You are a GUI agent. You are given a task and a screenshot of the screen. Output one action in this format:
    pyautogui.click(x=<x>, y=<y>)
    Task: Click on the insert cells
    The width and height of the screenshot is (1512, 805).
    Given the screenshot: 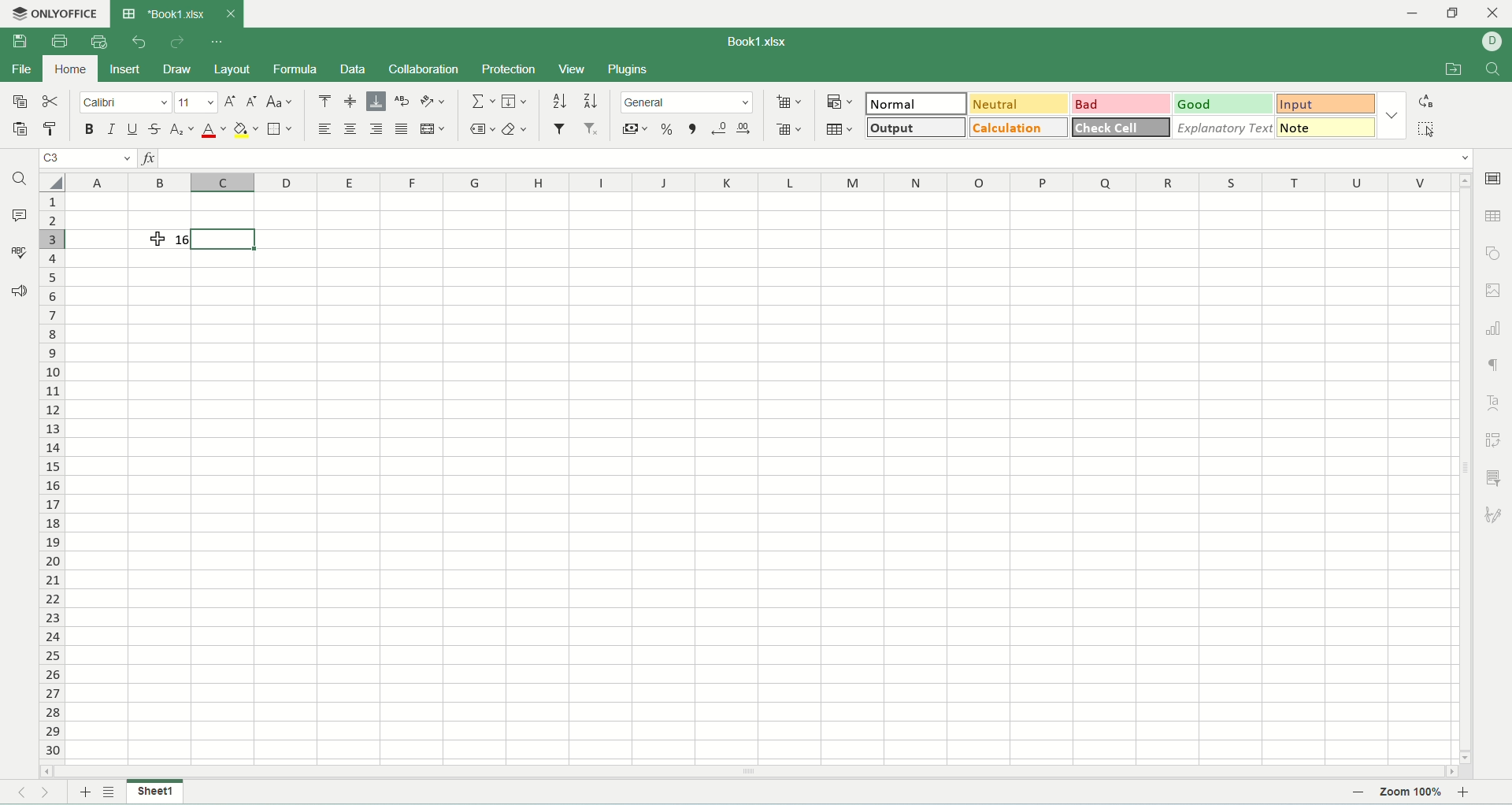 What is the action you would take?
    pyautogui.click(x=787, y=103)
    